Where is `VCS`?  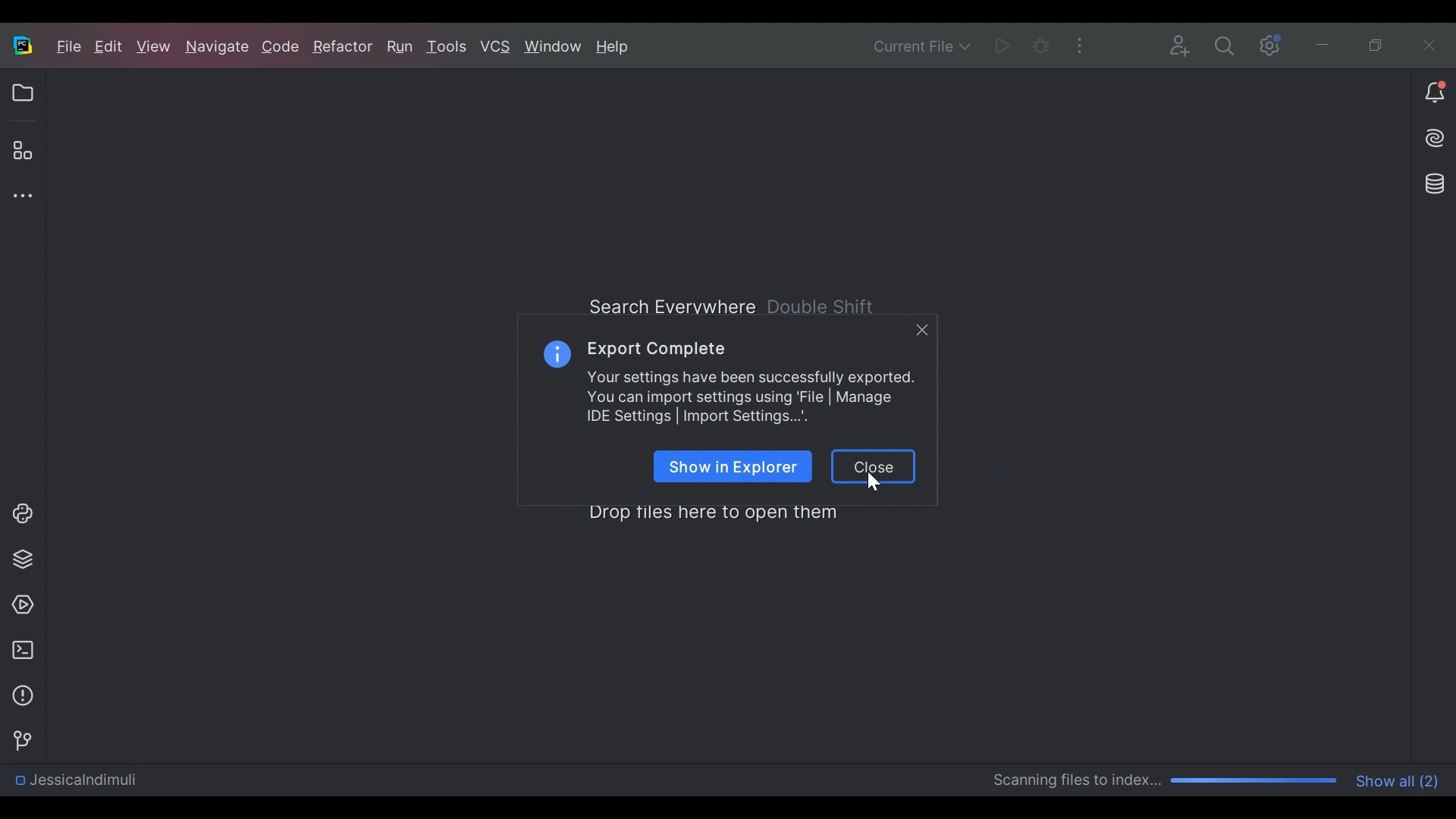 VCS is located at coordinates (496, 48).